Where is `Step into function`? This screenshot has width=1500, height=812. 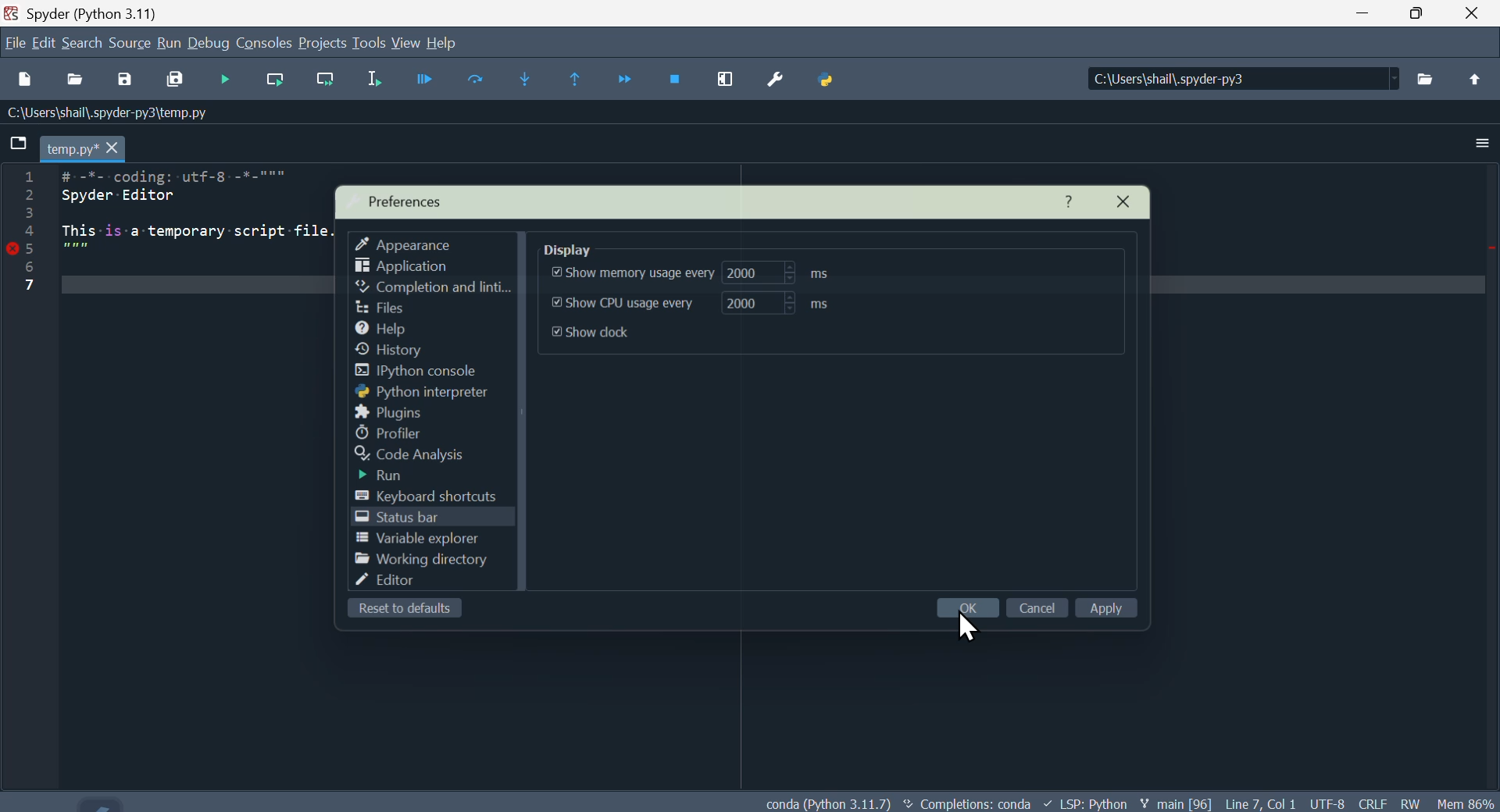 Step into function is located at coordinates (526, 77).